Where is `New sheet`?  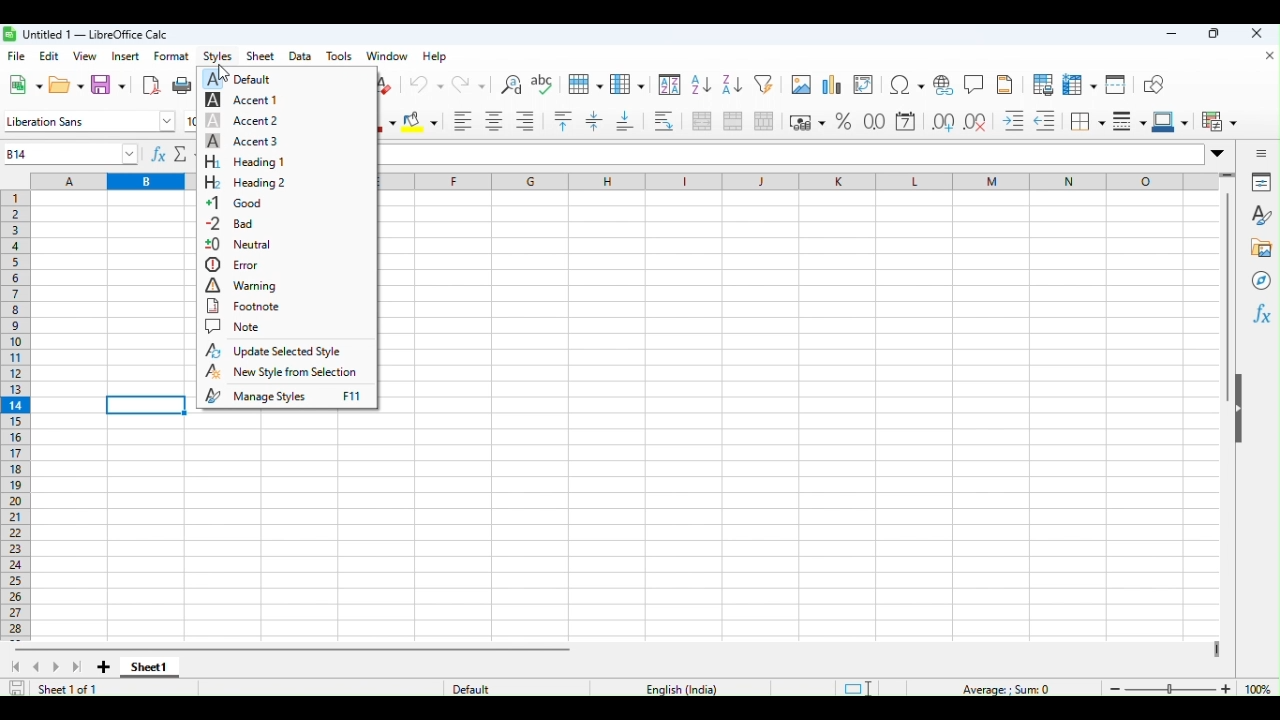 New sheet is located at coordinates (103, 667).